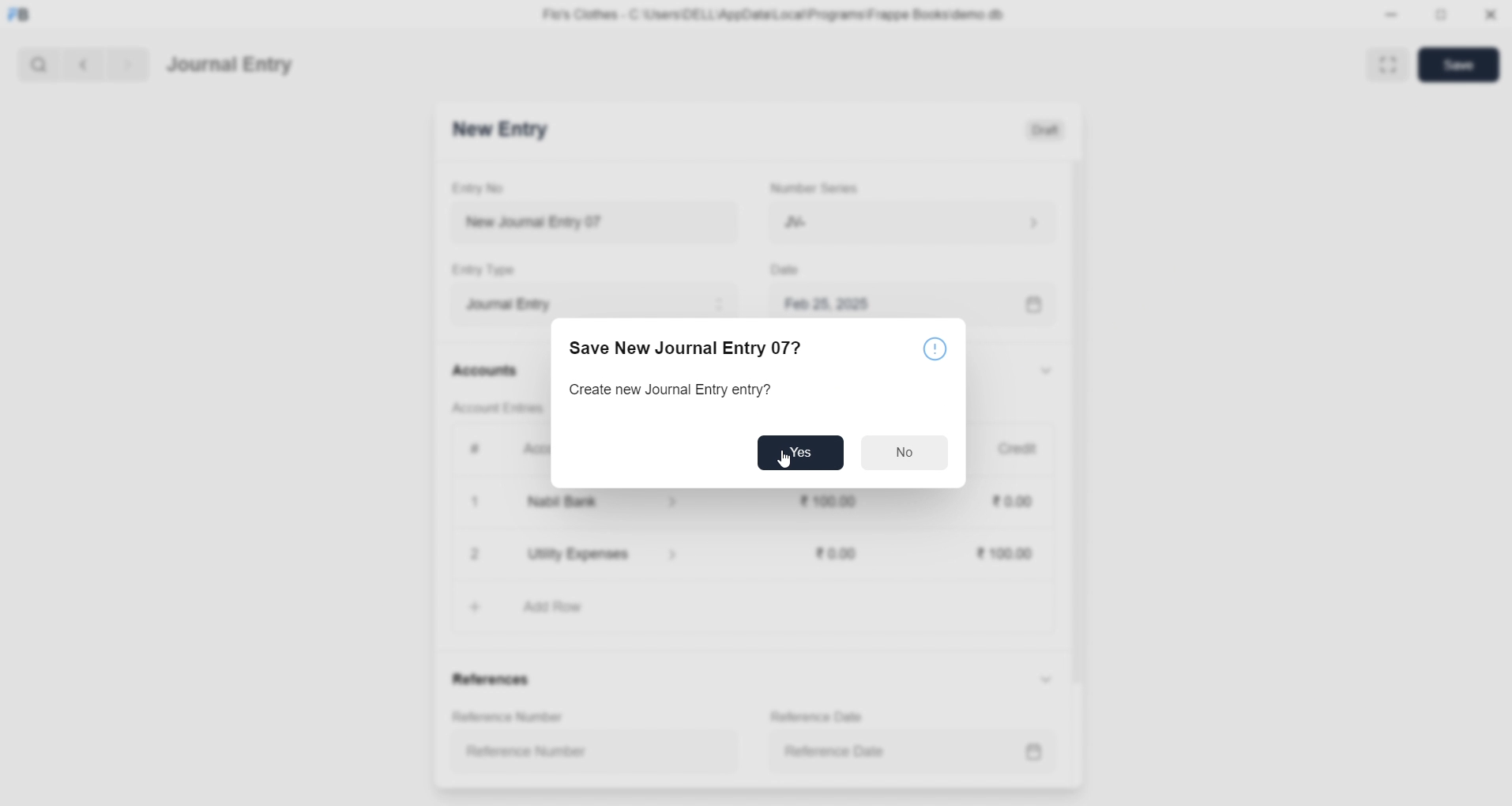  I want to click on Yes, so click(801, 451).